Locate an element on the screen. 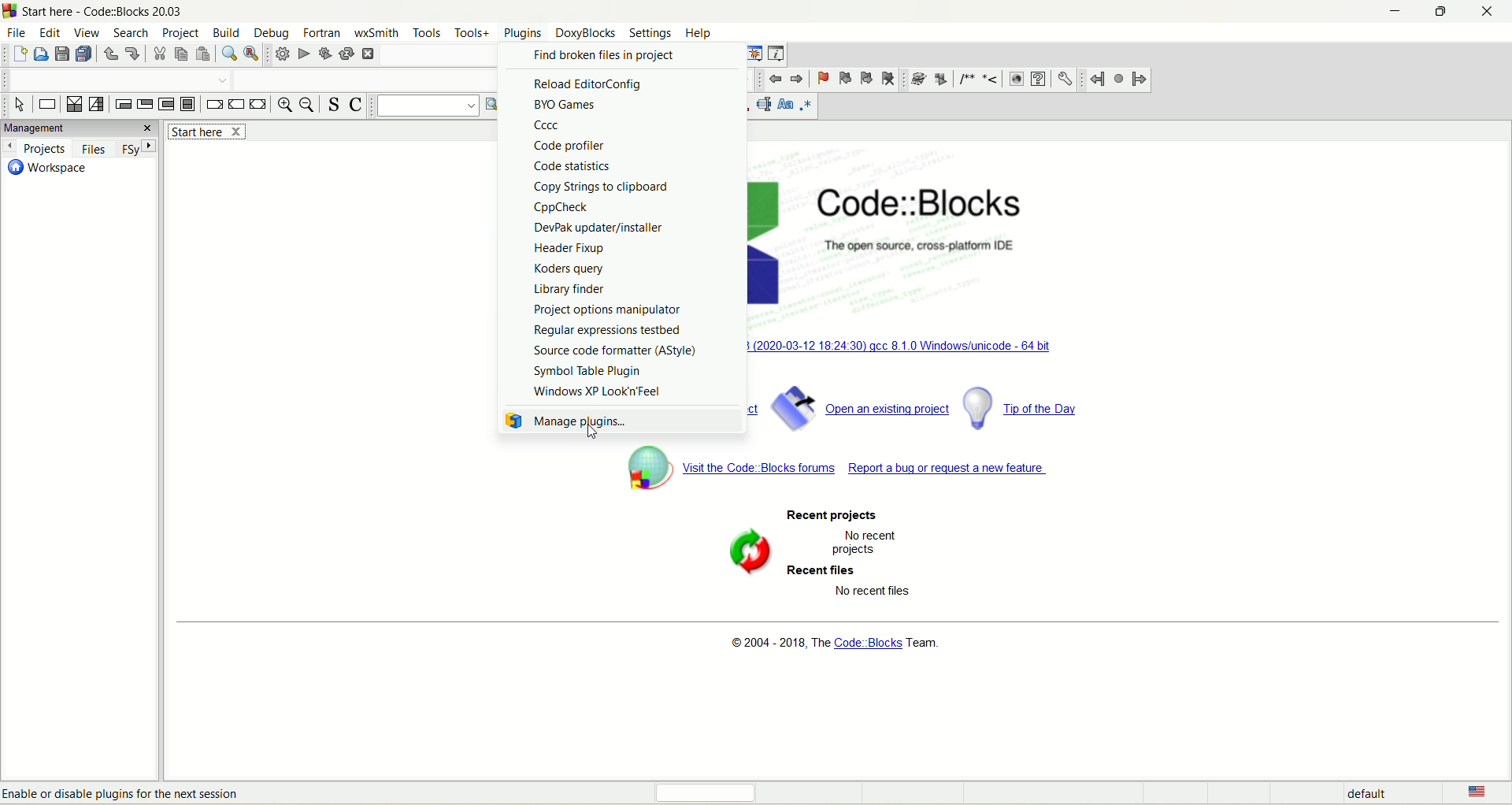 The height and width of the screenshot is (805, 1512). new is located at coordinates (19, 55).